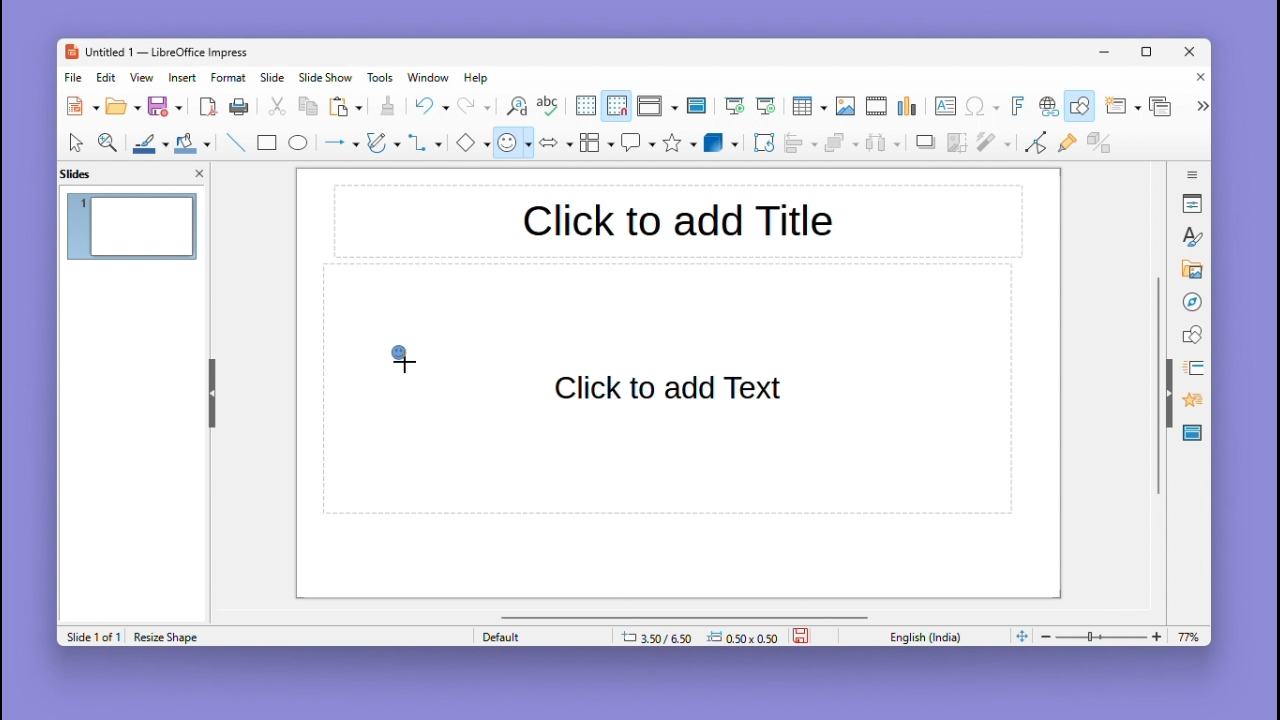  What do you see at coordinates (1200, 106) in the screenshot?
I see `expand` at bounding box center [1200, 106].